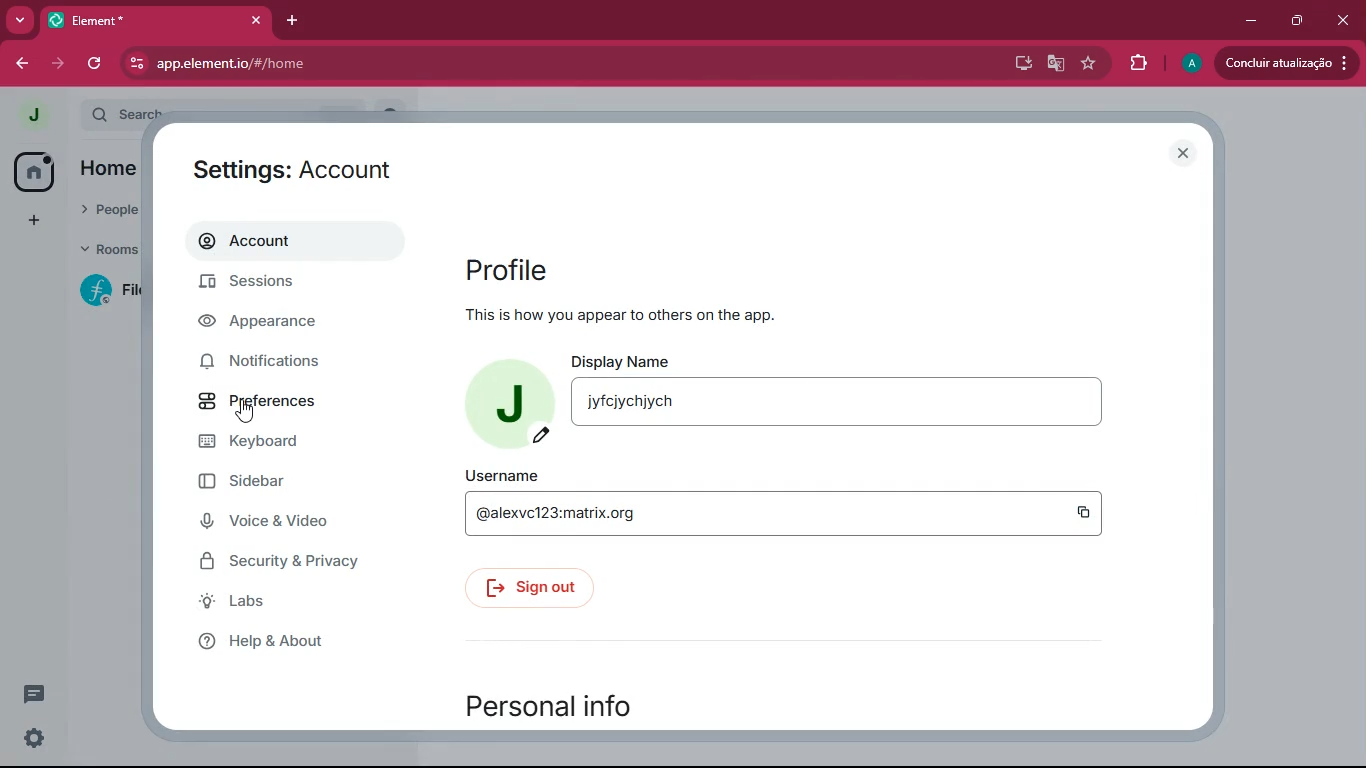 The height and width of the screenshot is (768, 1366). I want to click on add profile picture, so click(505, 402).